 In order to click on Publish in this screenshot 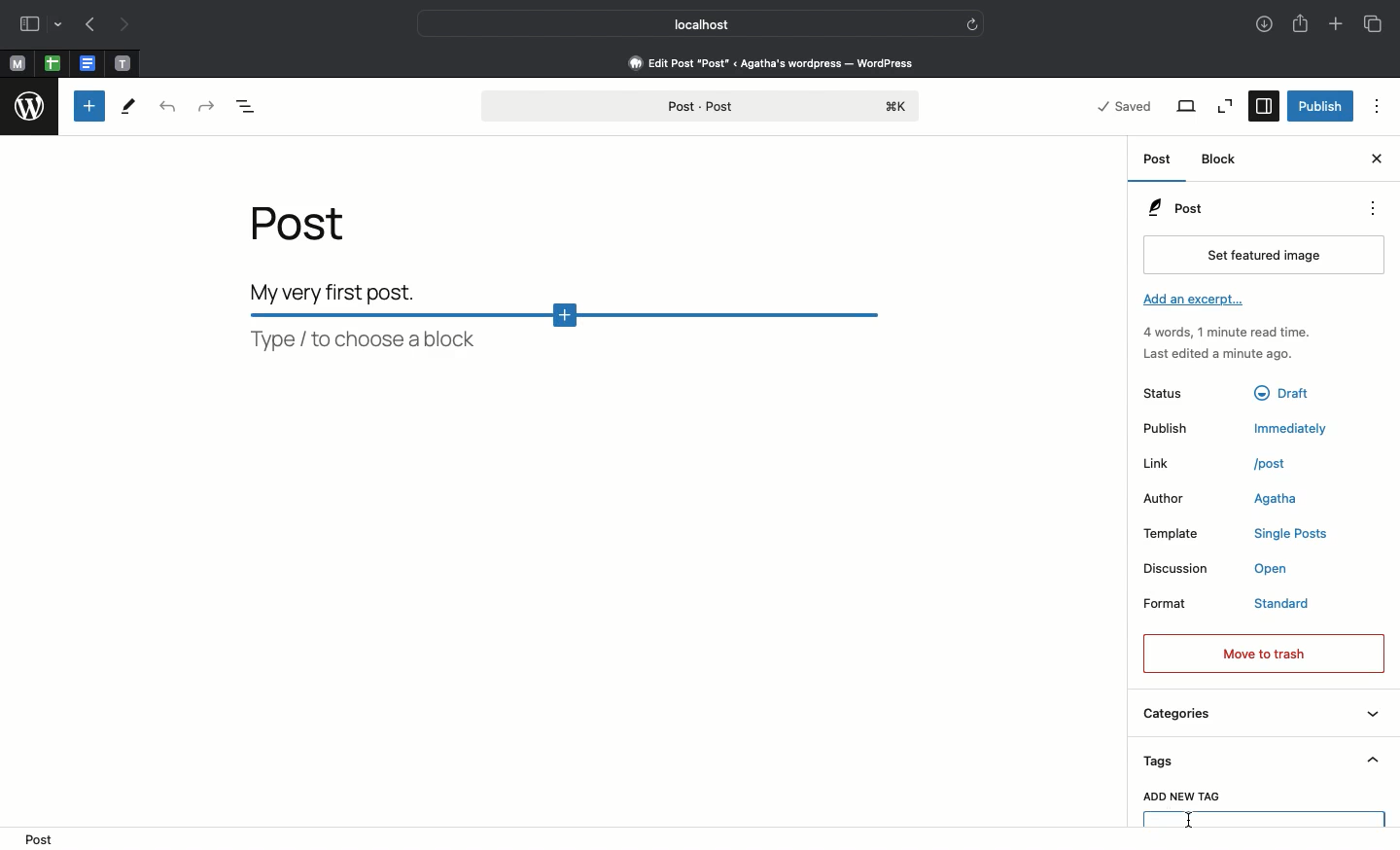, I will do `click(1170, 431)`.